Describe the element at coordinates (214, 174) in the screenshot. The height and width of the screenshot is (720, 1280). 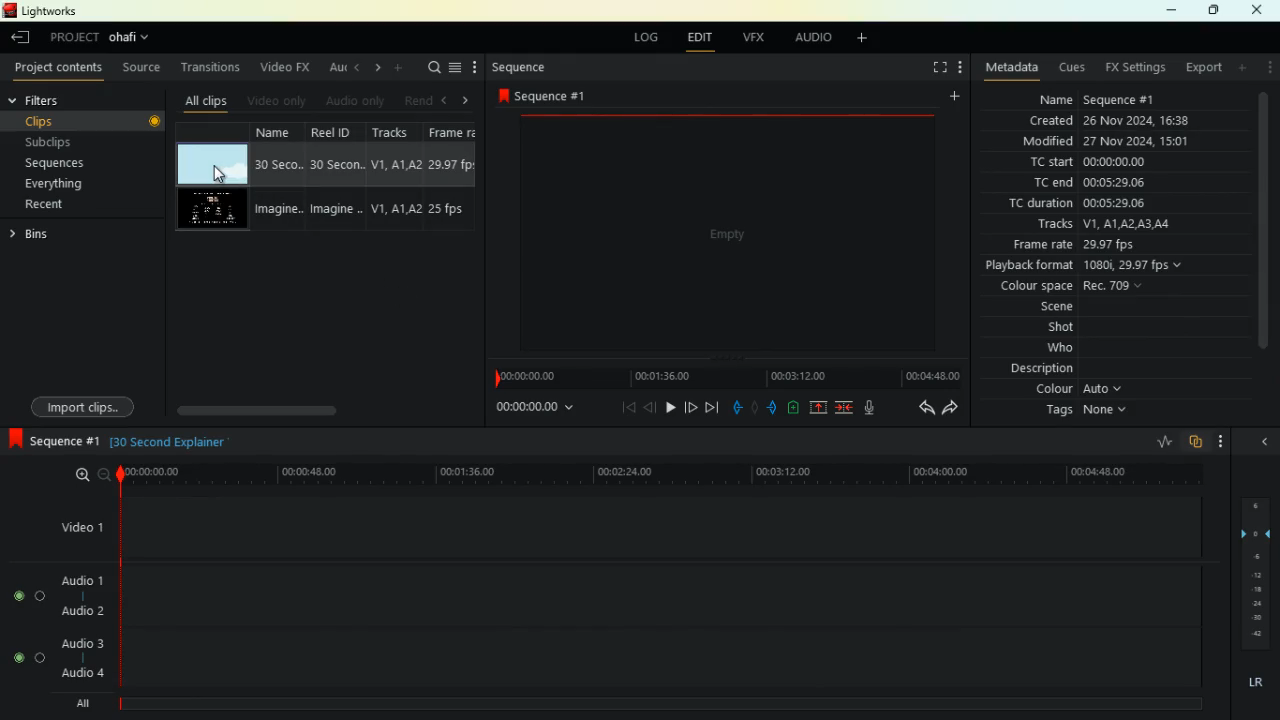
I see `Mouse Cursor` at that location.